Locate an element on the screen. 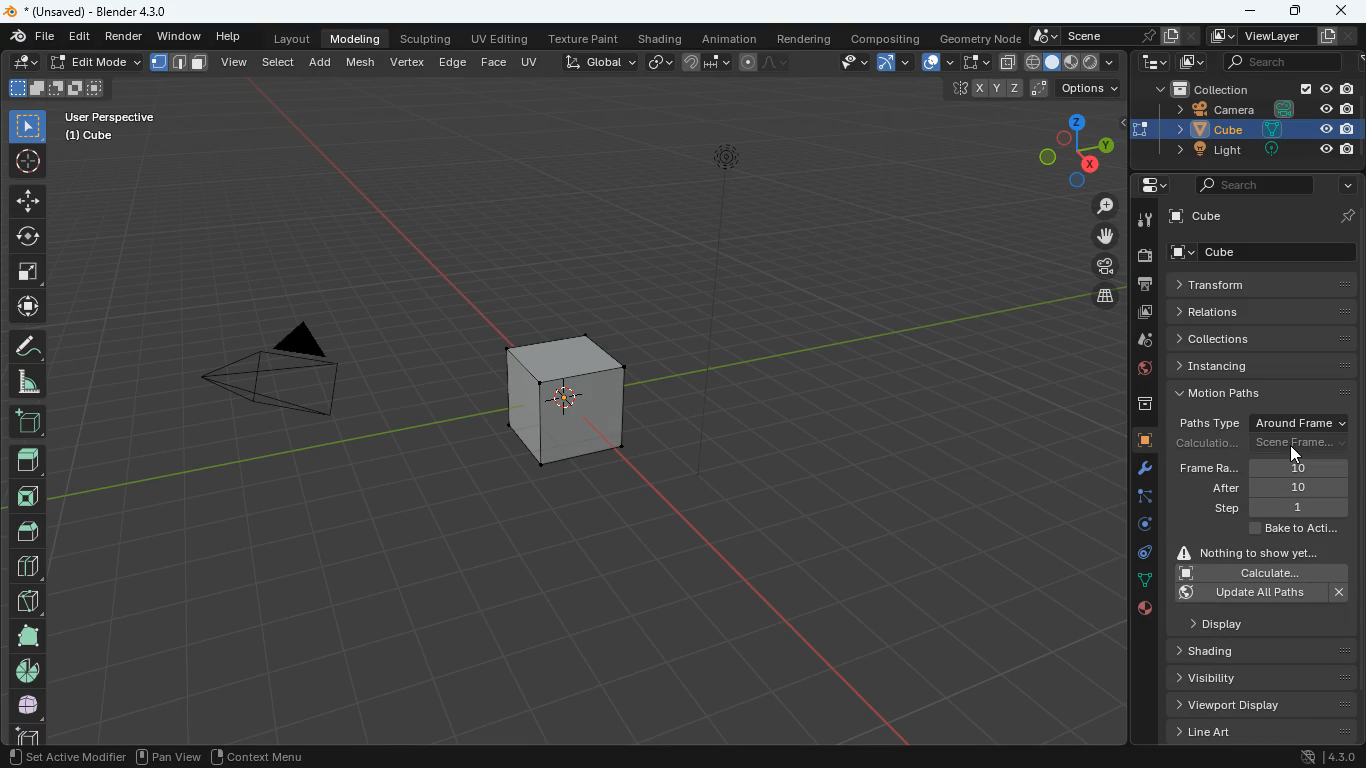  dimensions is located at coordinates (1024, 89).